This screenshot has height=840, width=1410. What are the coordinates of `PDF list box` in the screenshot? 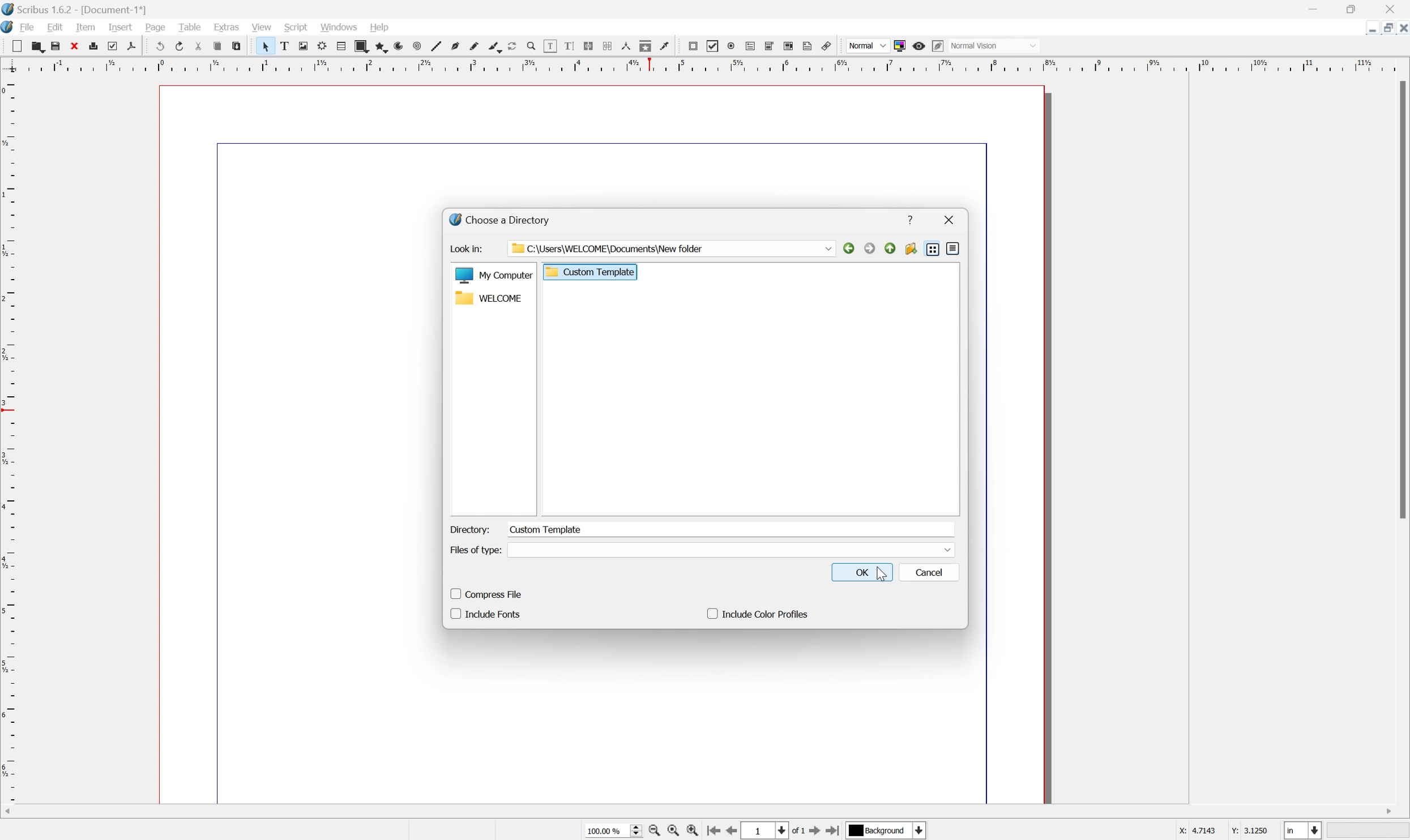 It's located at (788, 45).